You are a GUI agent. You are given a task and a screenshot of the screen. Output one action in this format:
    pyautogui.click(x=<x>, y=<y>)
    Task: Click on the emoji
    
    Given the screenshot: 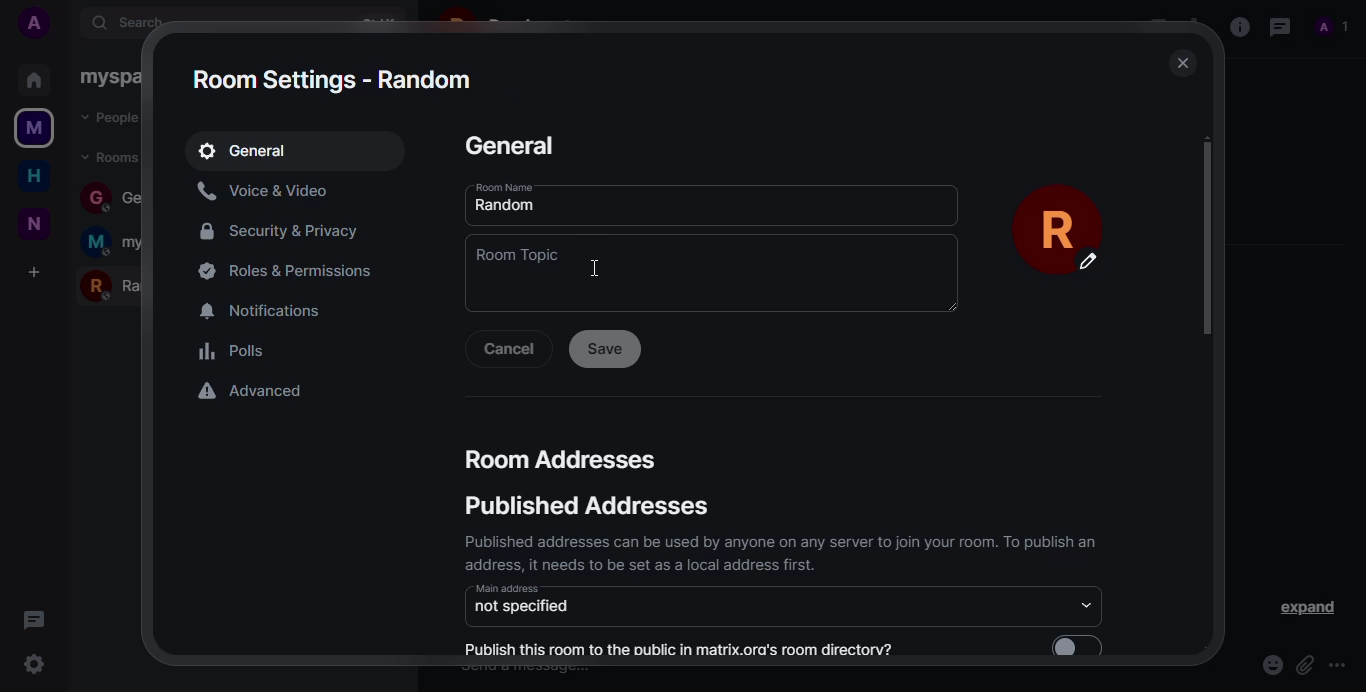 What is the action you would take?
    pyautogui.click(x=1264, y=660)
    